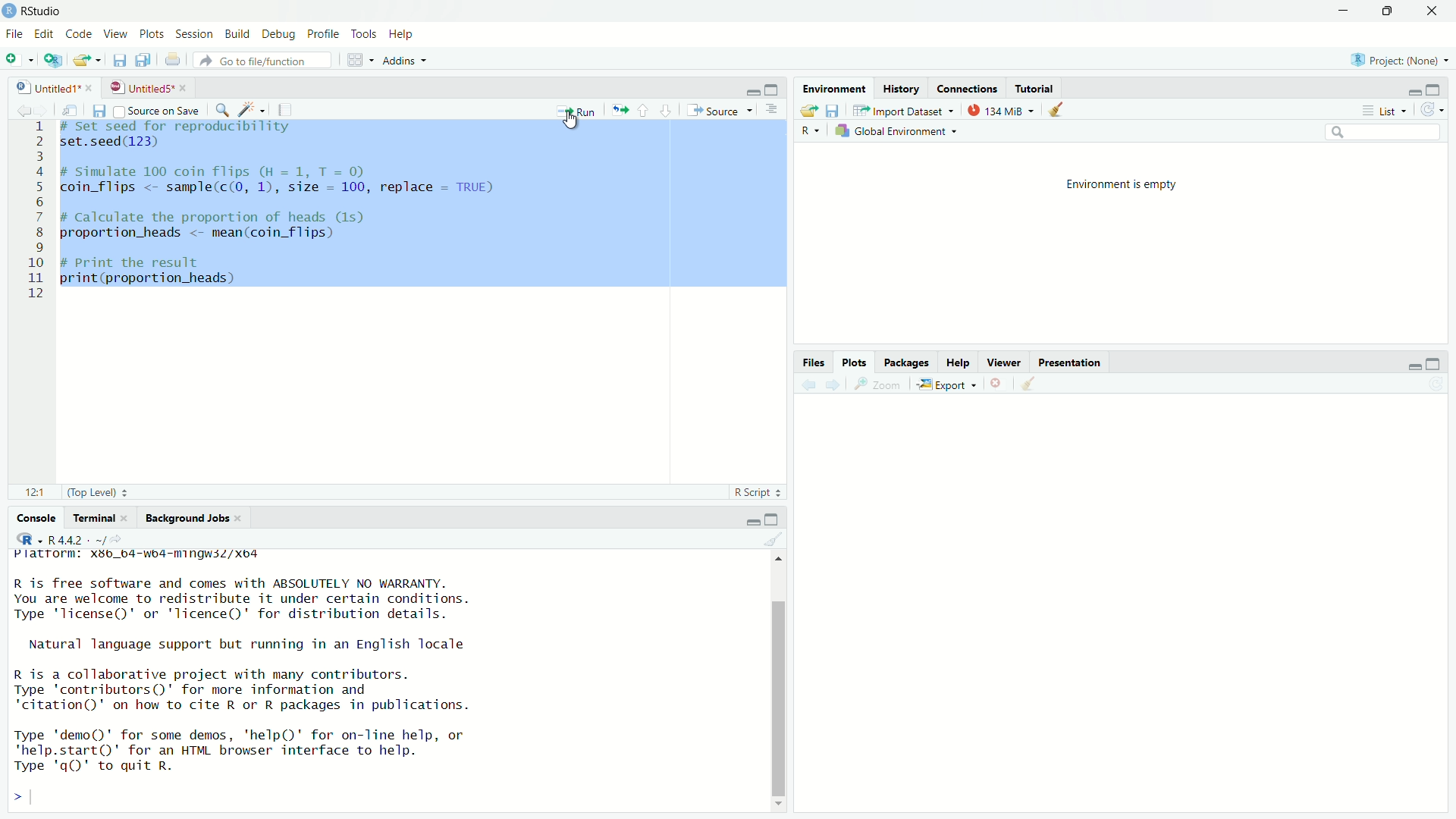 This screenshot has width=1456, height=819. Describe the element at coordinates (405, 60) in the screenshot. I see `addins` at that location.